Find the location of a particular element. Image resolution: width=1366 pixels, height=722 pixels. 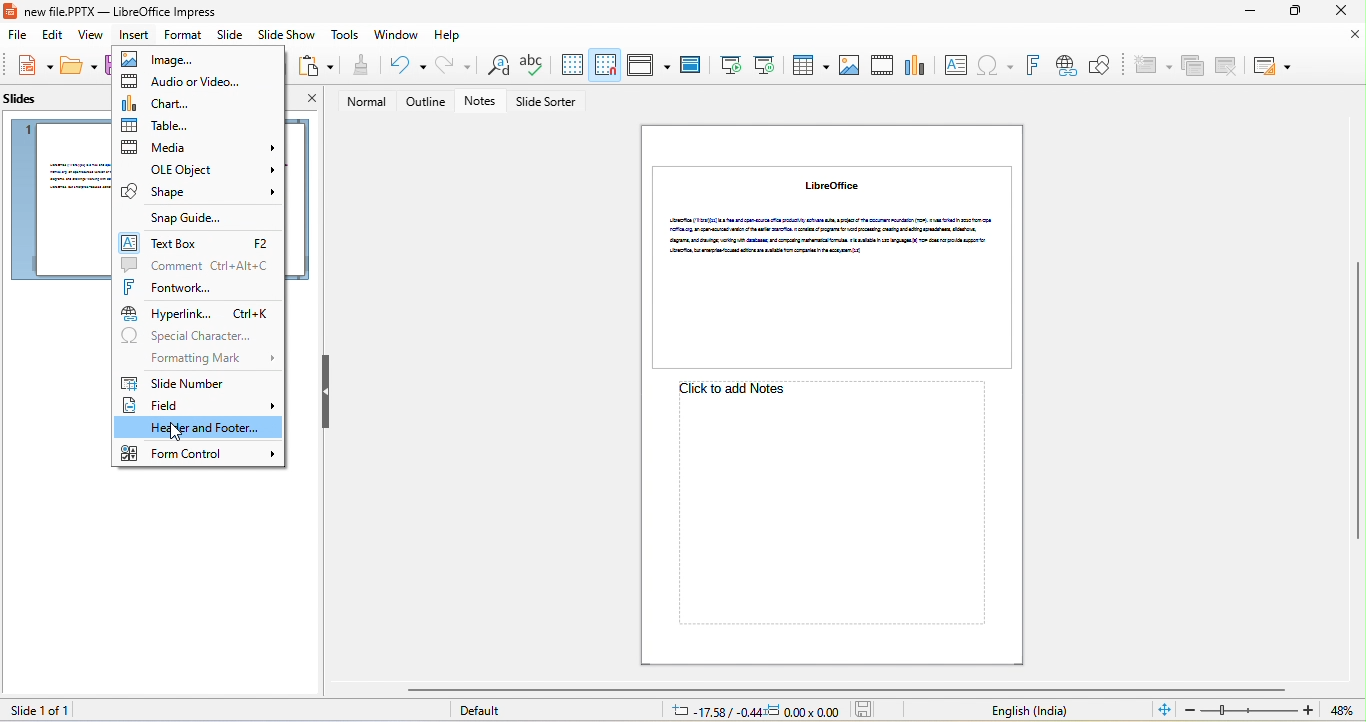

special character is located at coordinates (995, 66).